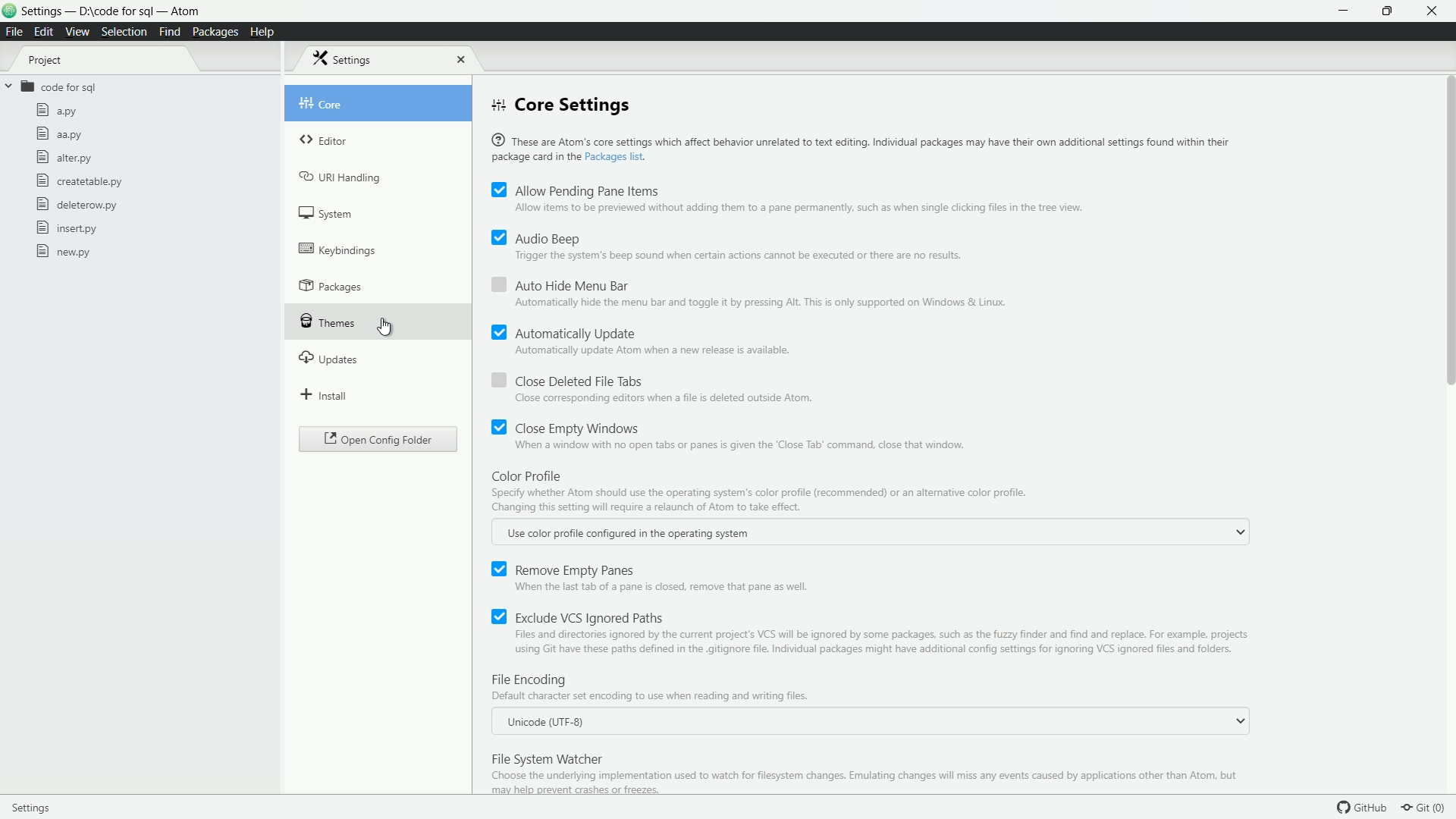 Image resolution: width=1456 pixels, height=819 pixels. What do you see at coordinates (545, 759) in the screenshot?
I see `file system watcher` at bounding box center [545, 759].